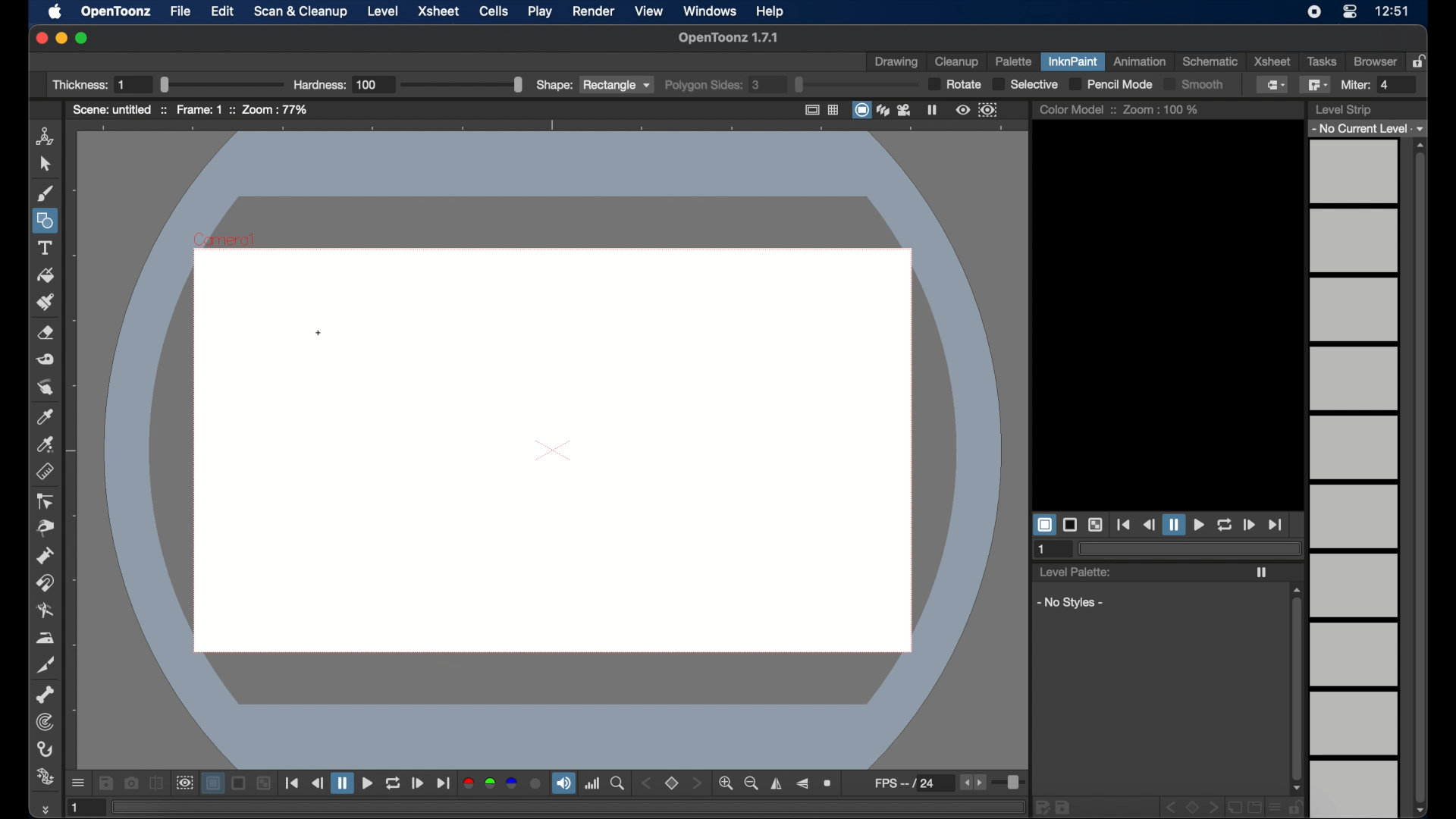 This screenshot has width=1456, height=819. What do you see at coordinates (563, 783) in the screenshot?
I see `volume` at bounding box center [563, 783].